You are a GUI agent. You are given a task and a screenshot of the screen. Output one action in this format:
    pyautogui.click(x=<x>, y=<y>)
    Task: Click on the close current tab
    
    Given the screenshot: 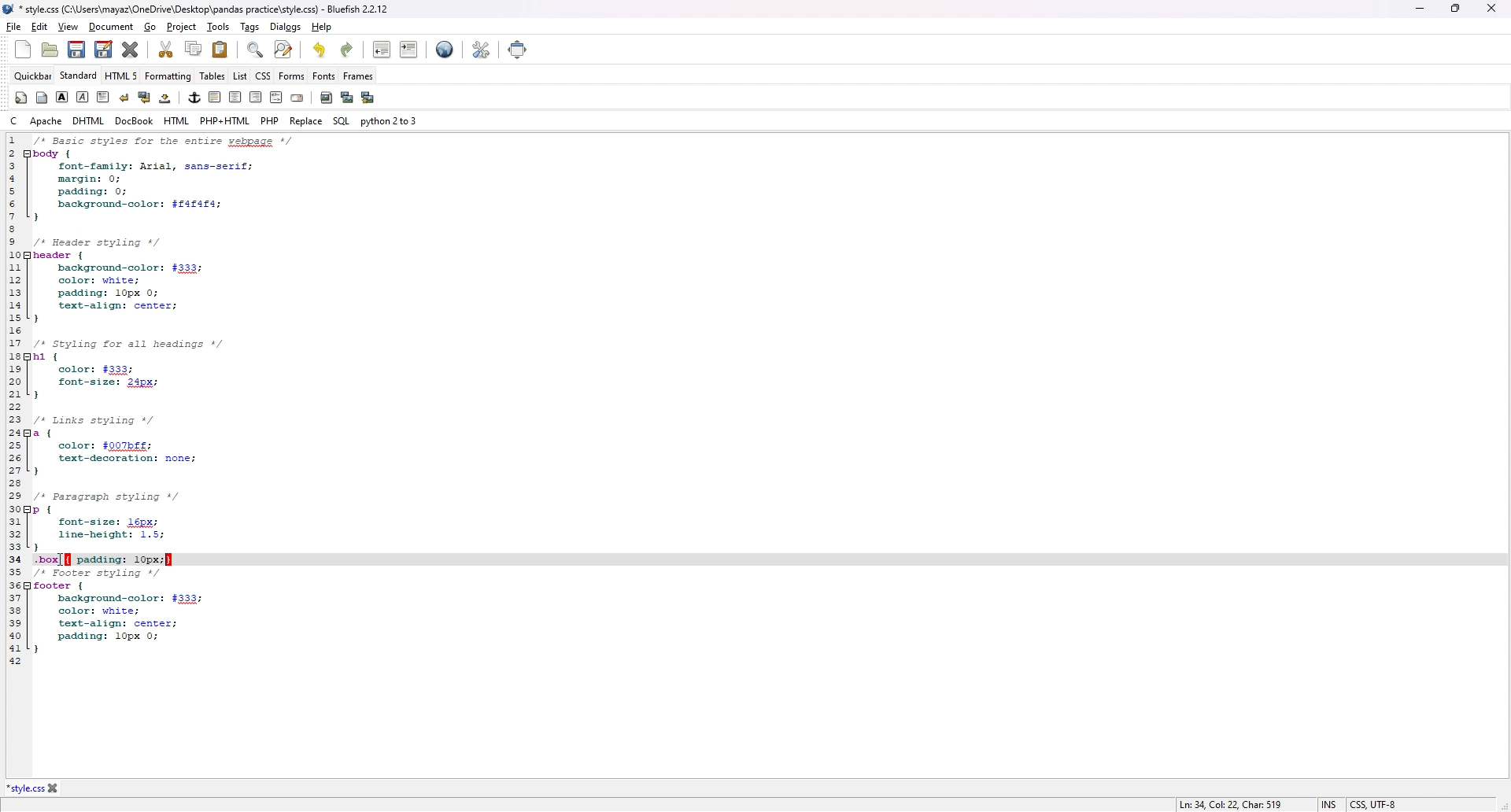 What is the action you would take?
    pyautogui.click(x=131, y=50)
    